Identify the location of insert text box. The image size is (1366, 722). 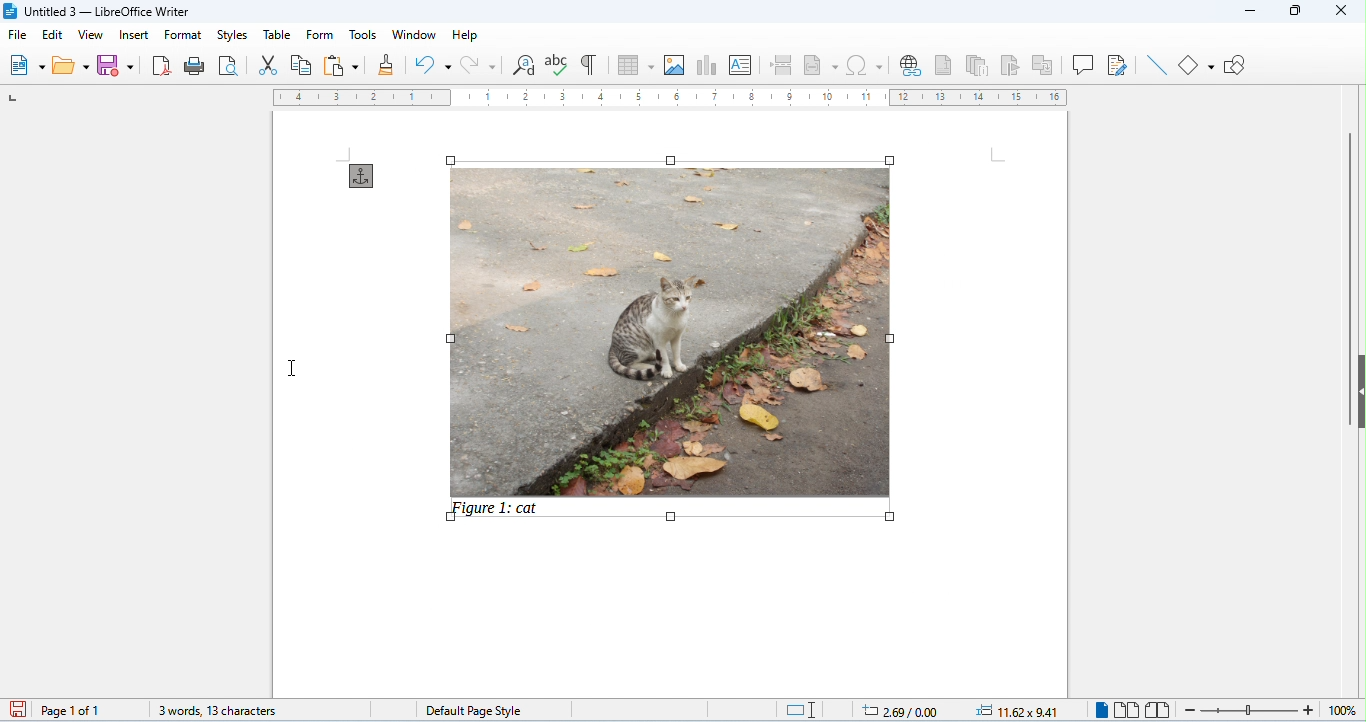
(742, 66).